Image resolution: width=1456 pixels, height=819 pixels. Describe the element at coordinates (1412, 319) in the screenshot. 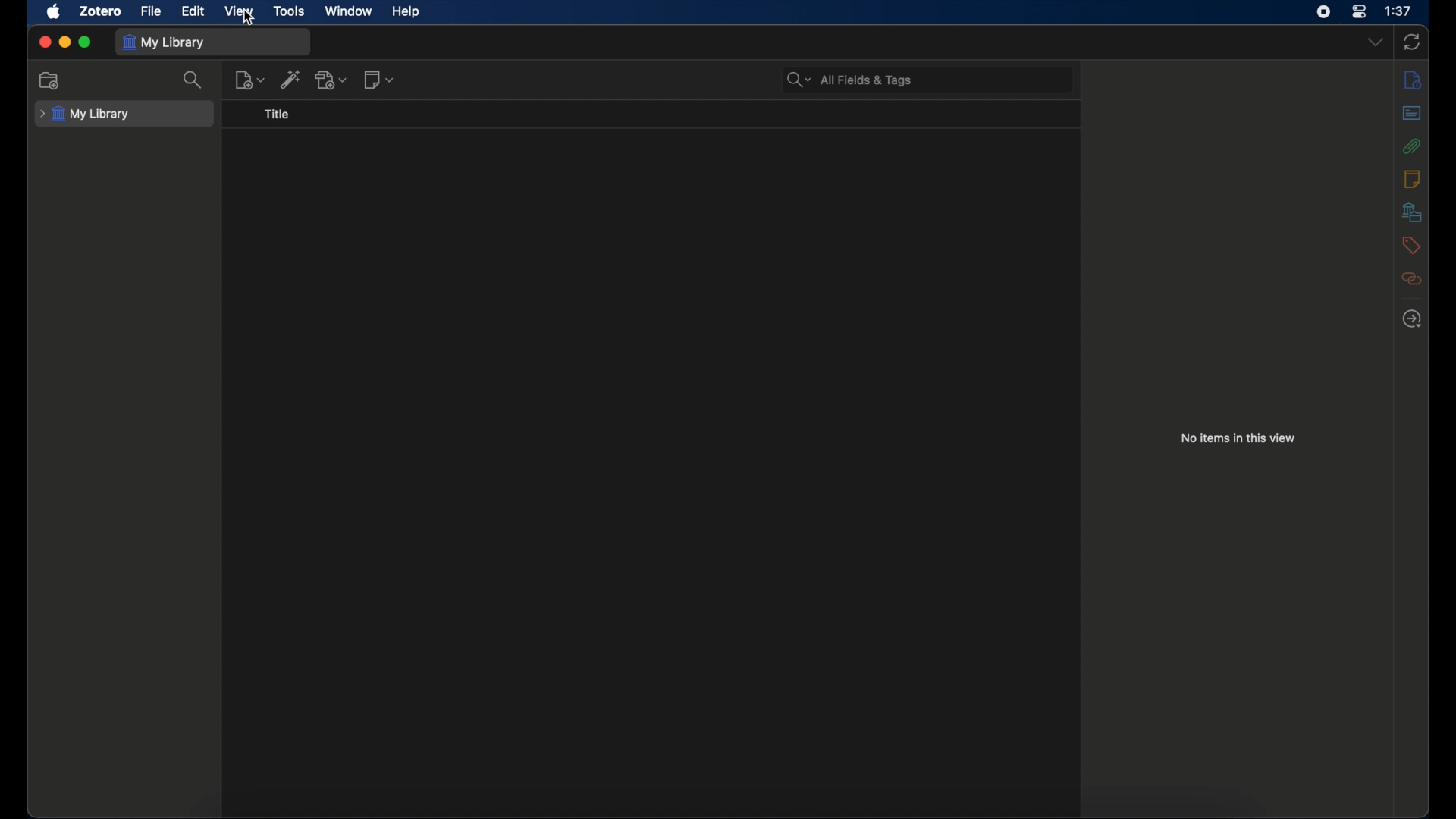

I see `locate` at that location.